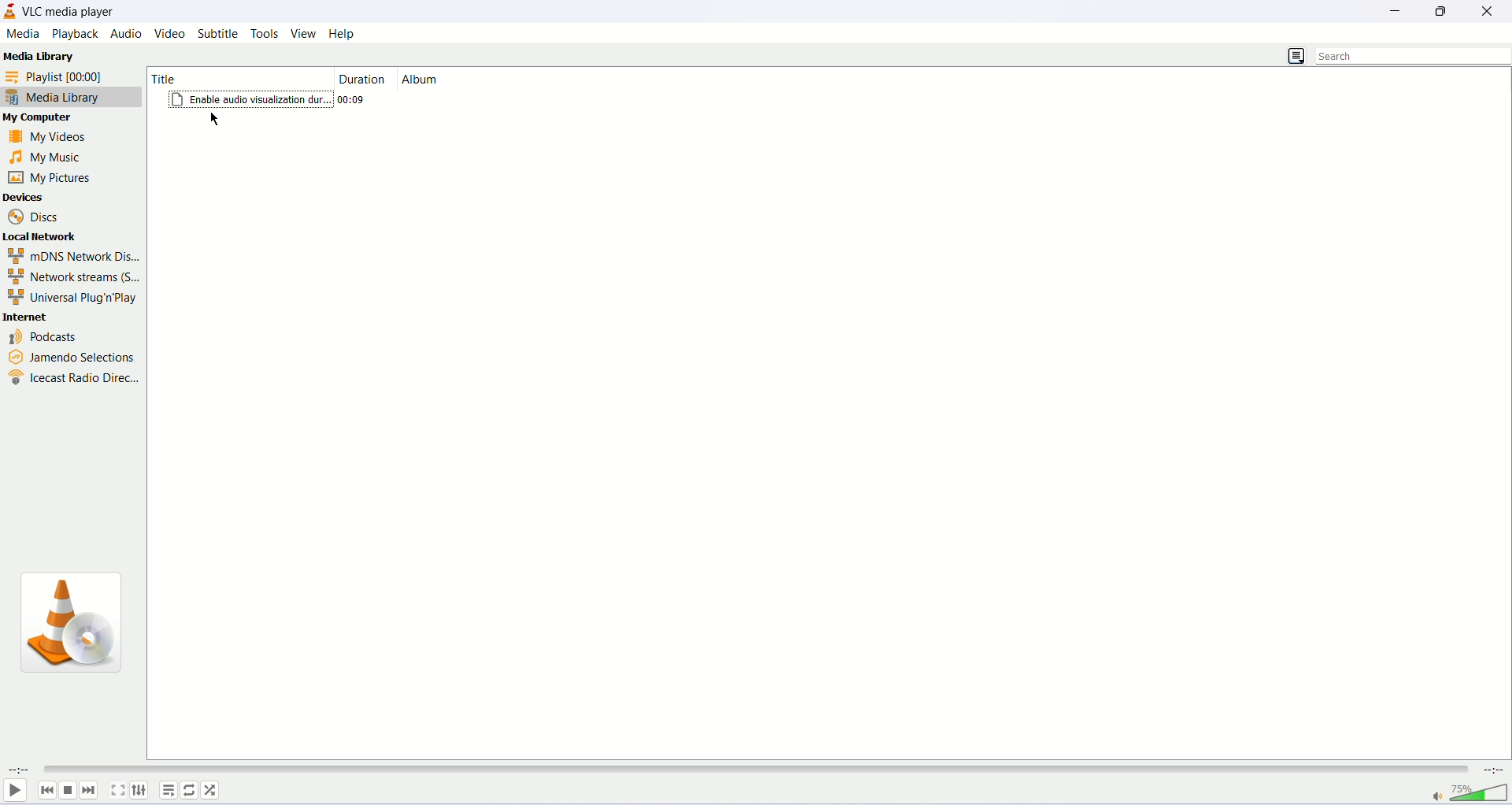 This screenshot has width=1512, height=805. Describe the element at coordinates (126, 33) in the screenshot. I see `audio` at that location.